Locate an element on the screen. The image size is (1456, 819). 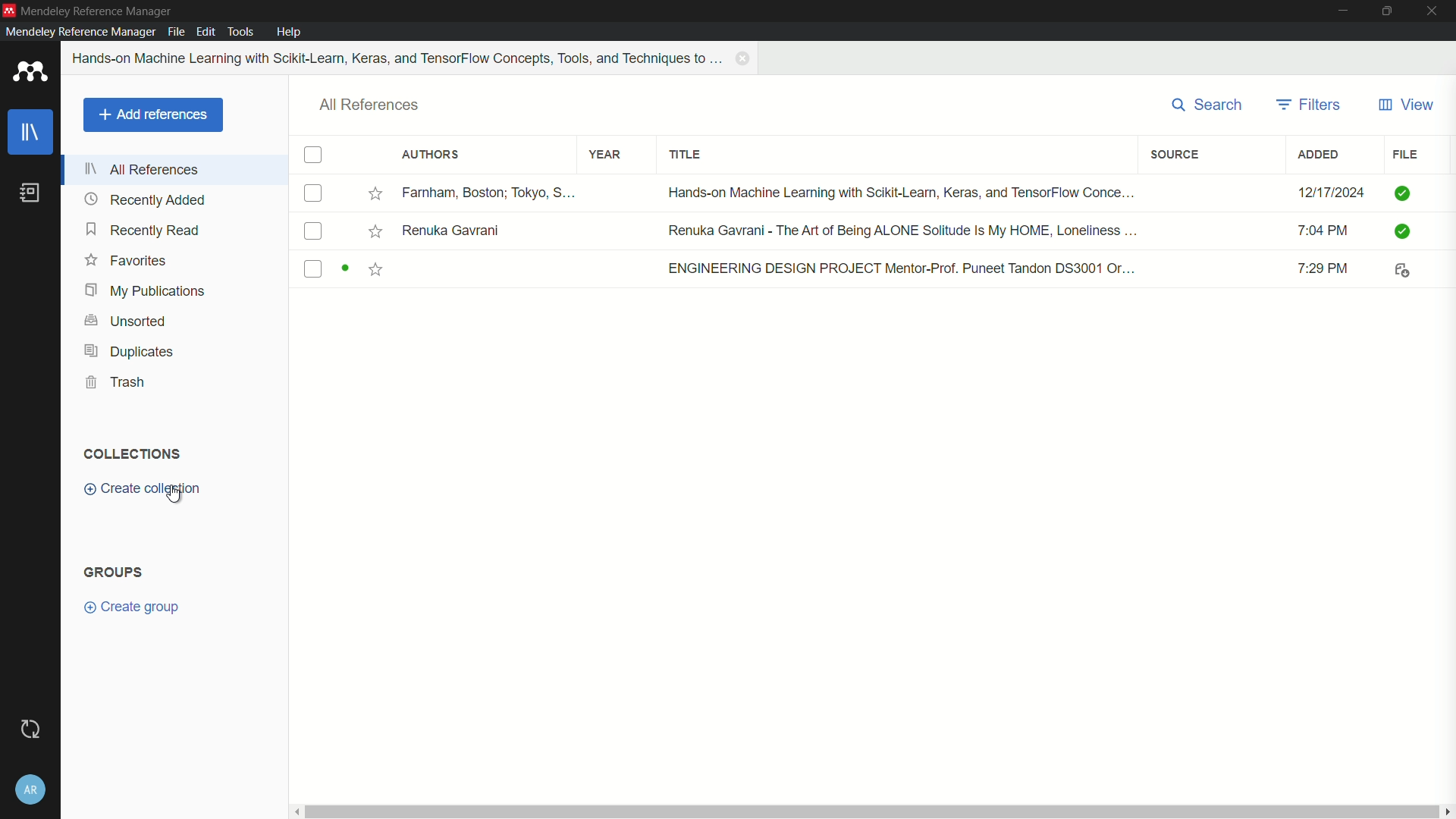
add references is located at coordinates (152, 115).